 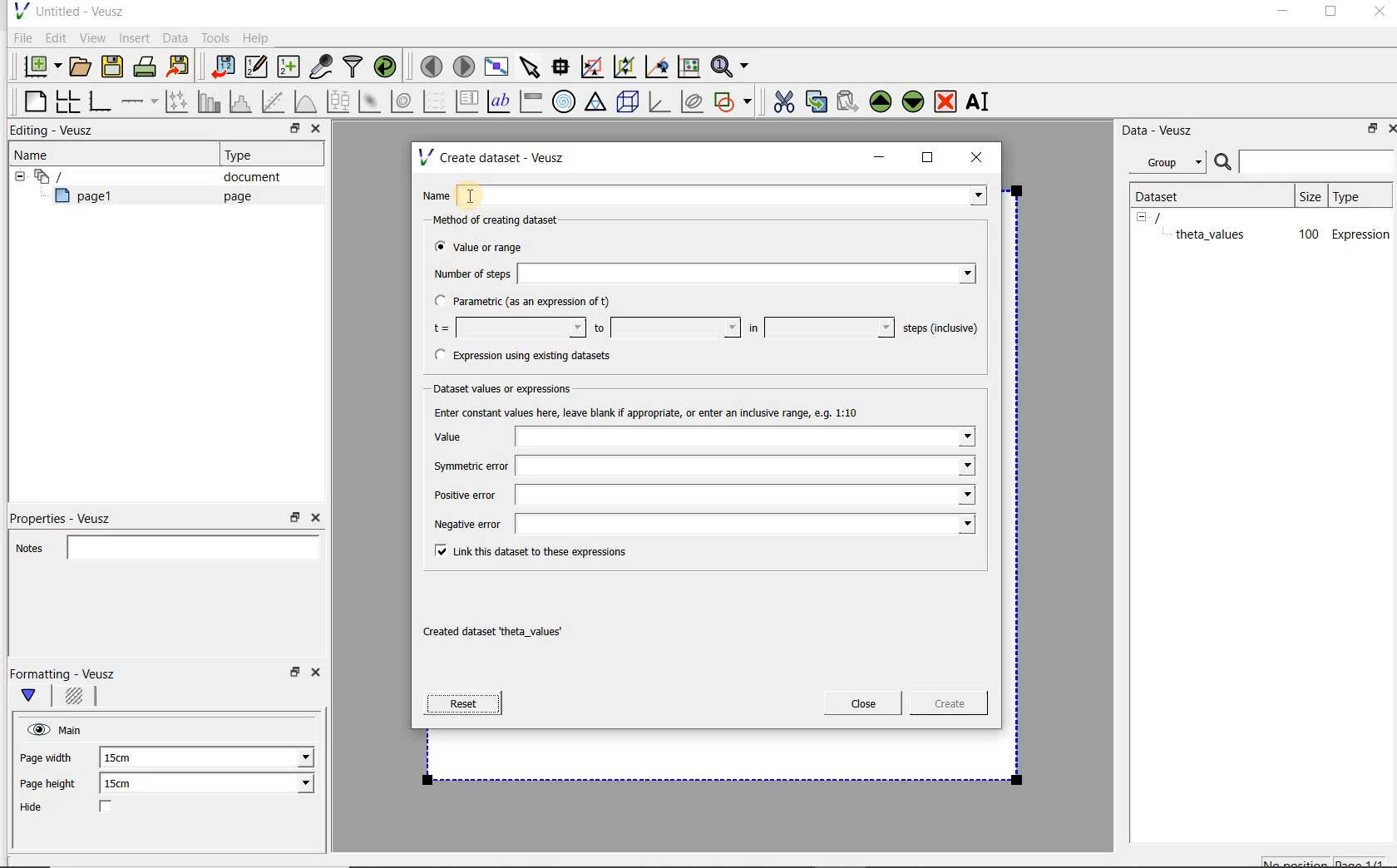 I want to click on Paste widget from the clipboard, so click(x=850, y=101).